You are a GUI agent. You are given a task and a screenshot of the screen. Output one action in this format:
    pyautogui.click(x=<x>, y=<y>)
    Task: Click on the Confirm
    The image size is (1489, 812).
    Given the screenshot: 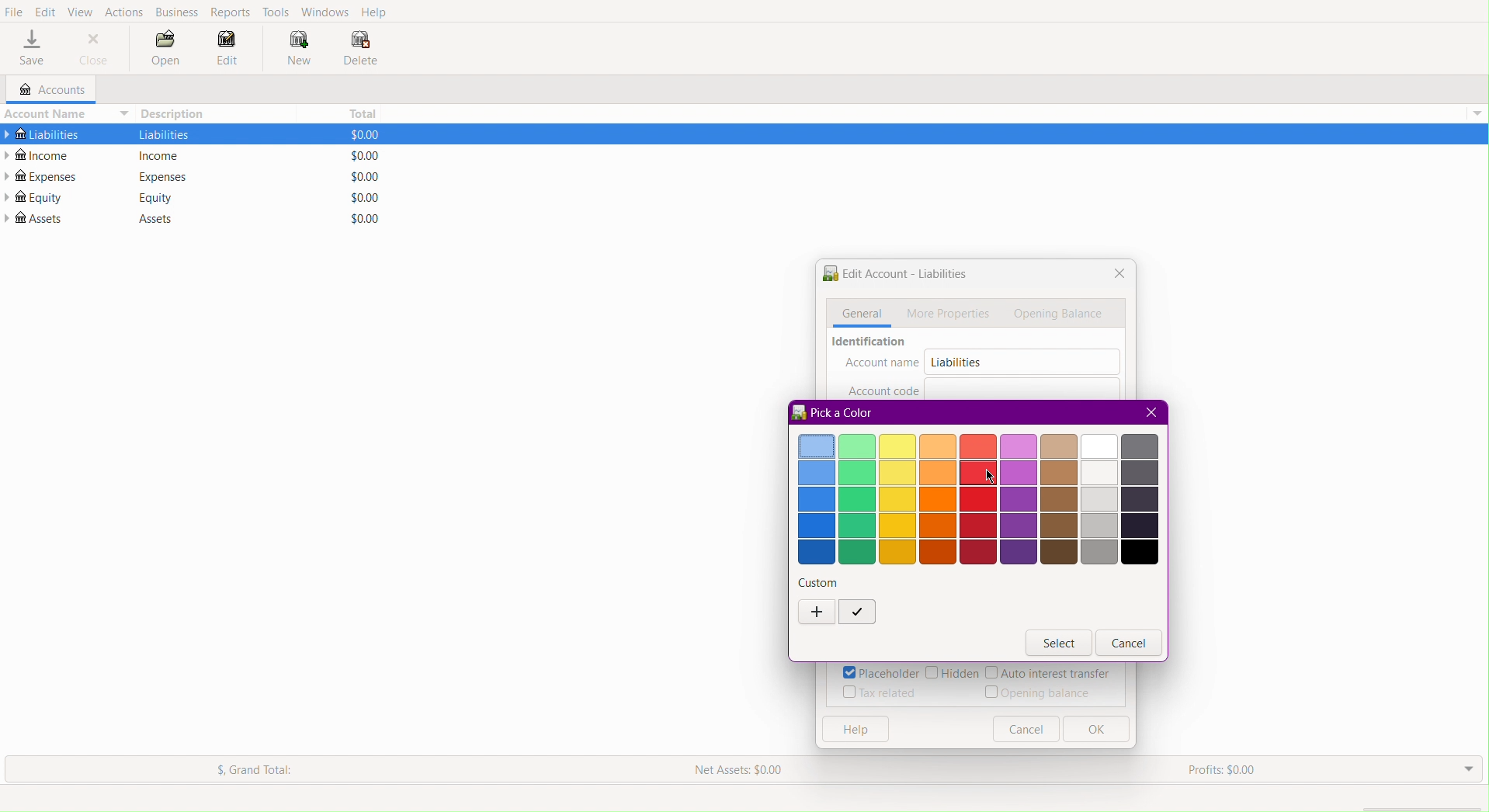 What is the action you would take?
    pyautogui.click(x=857, y=613)
    